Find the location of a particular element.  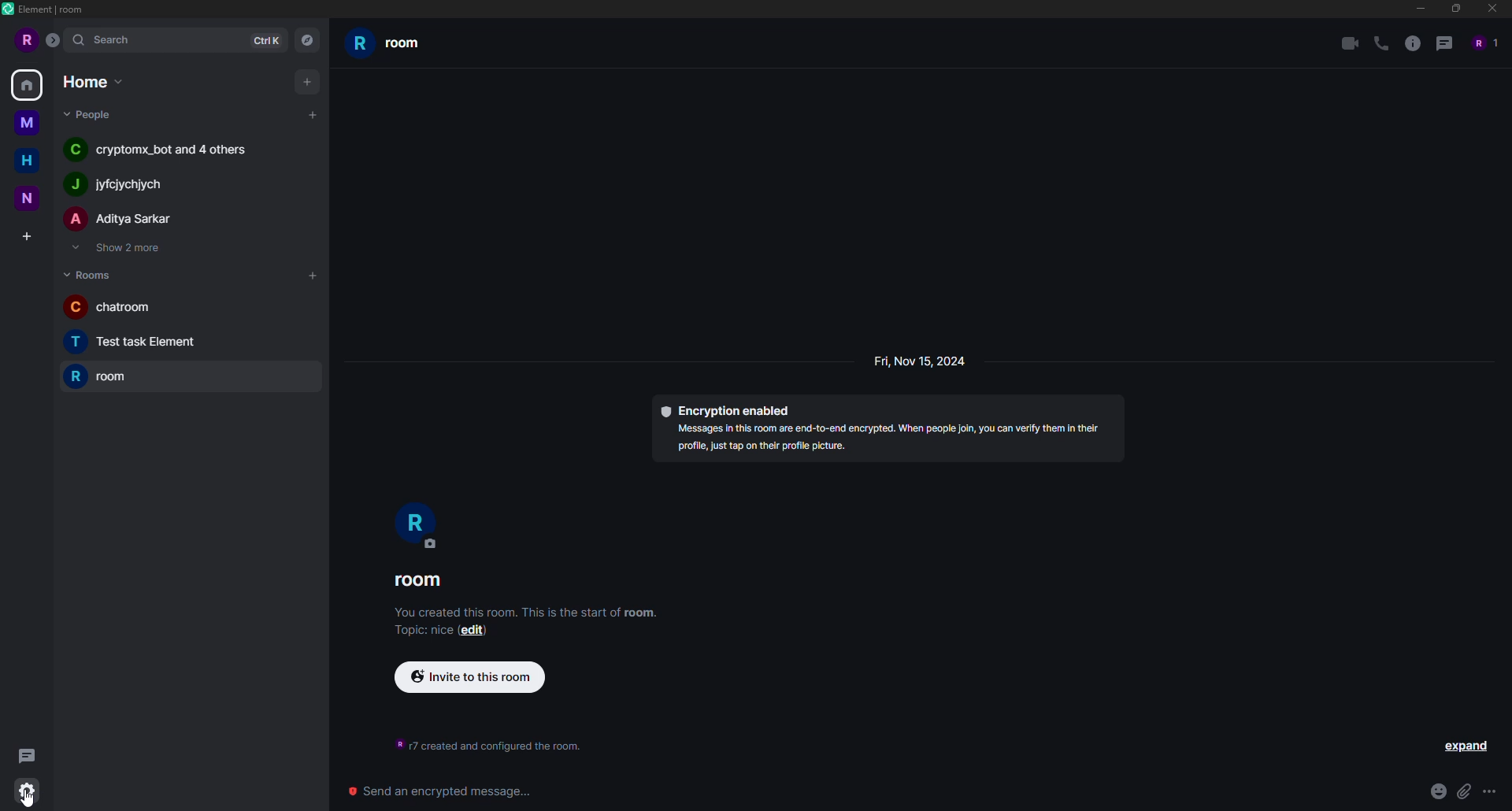

edit is located at coordinates (474, 632).